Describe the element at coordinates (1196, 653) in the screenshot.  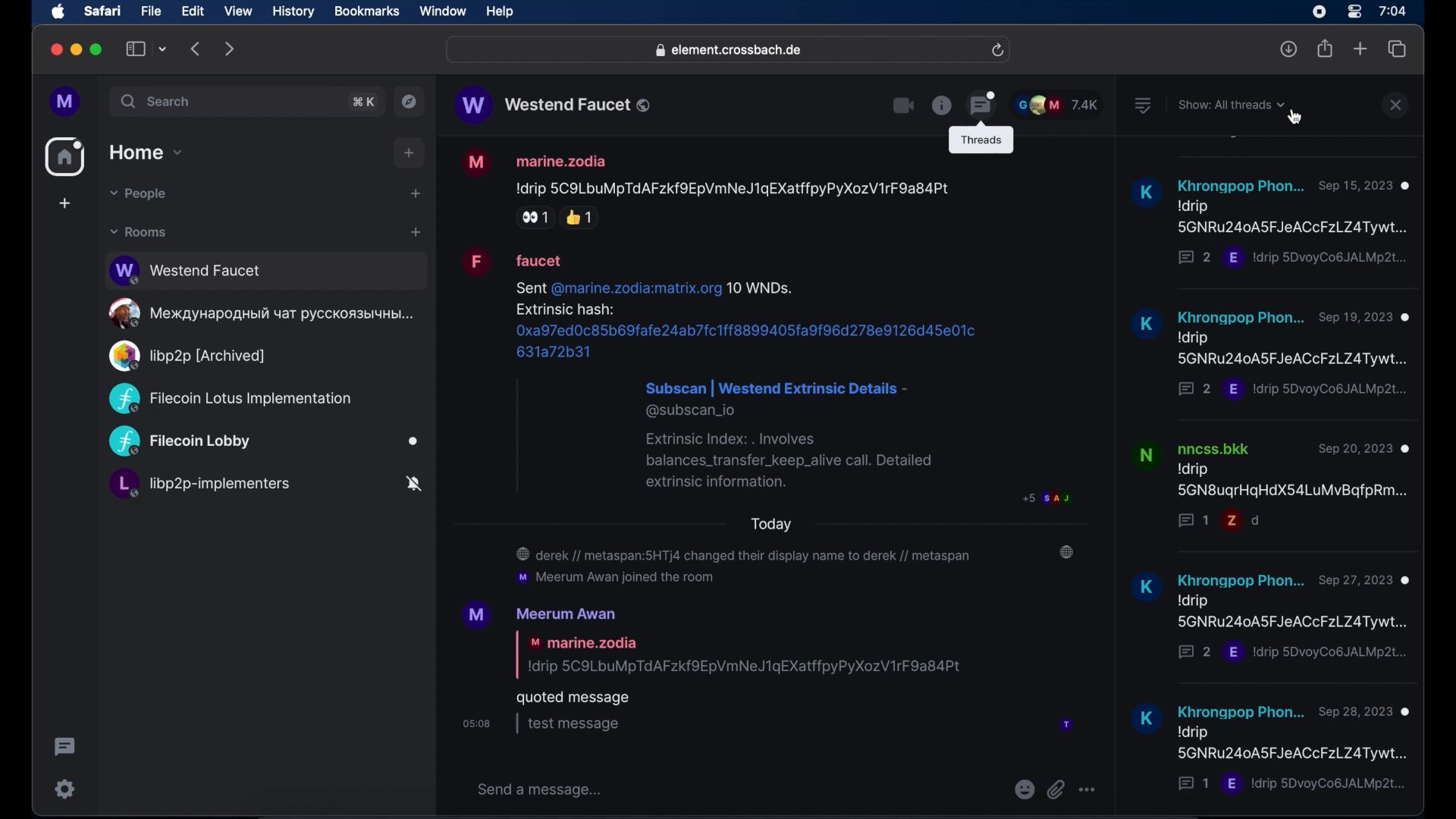
I see `2 messages` at that location.